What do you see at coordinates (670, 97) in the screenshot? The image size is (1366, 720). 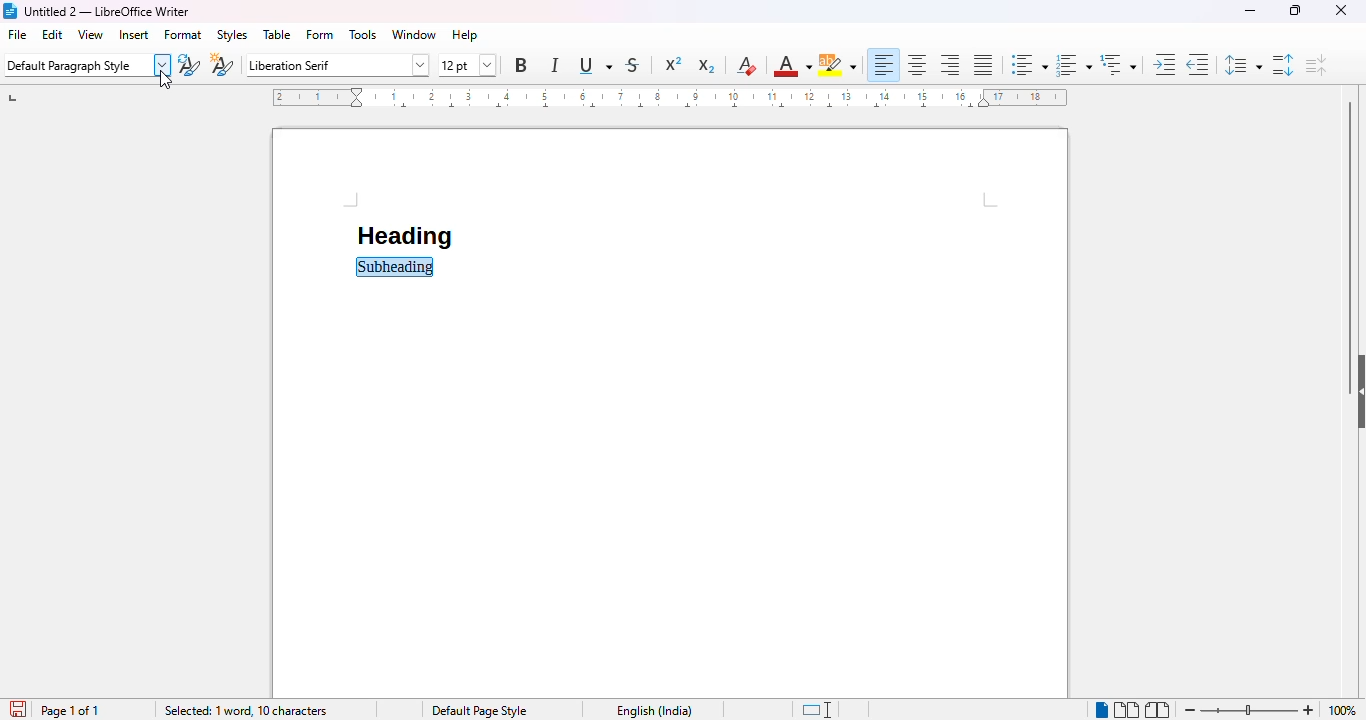 I see `ruler` at bounding box center [670, 97].